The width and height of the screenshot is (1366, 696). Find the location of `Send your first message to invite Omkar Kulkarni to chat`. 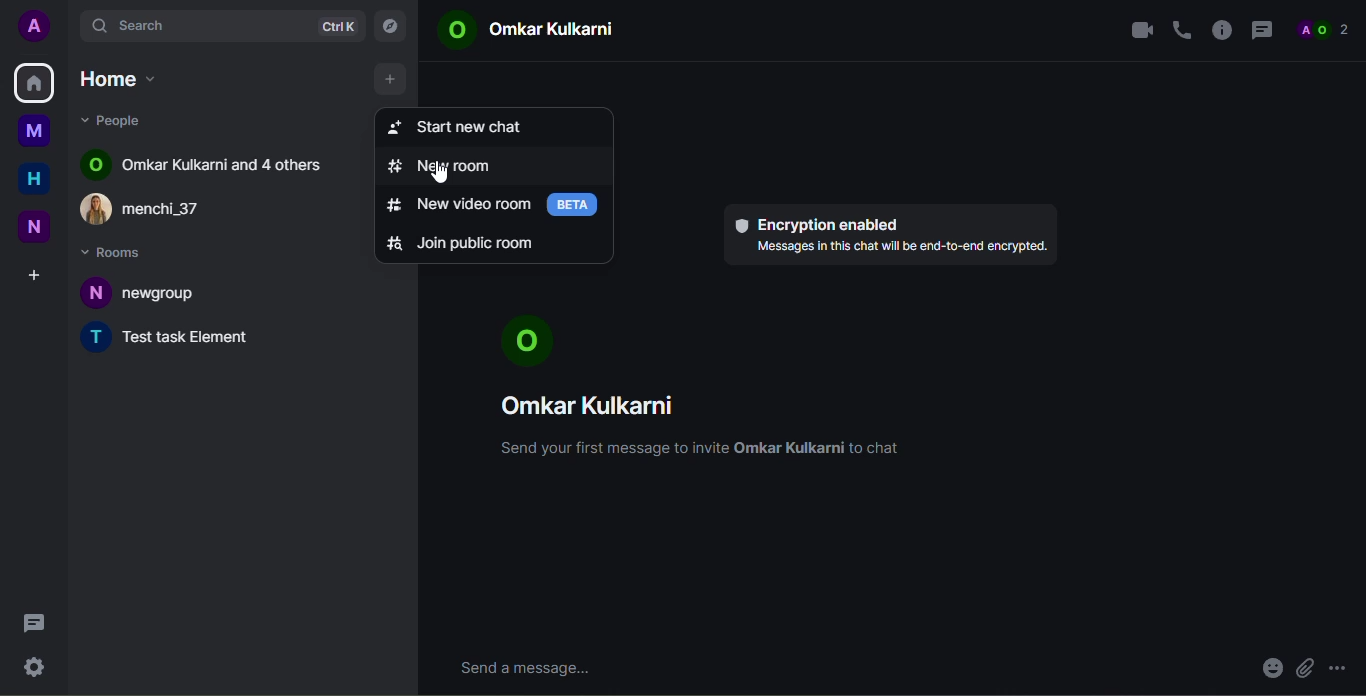

Send your first message to invite Omkar Kulkarni to chat is located at coordinates (712, 452).